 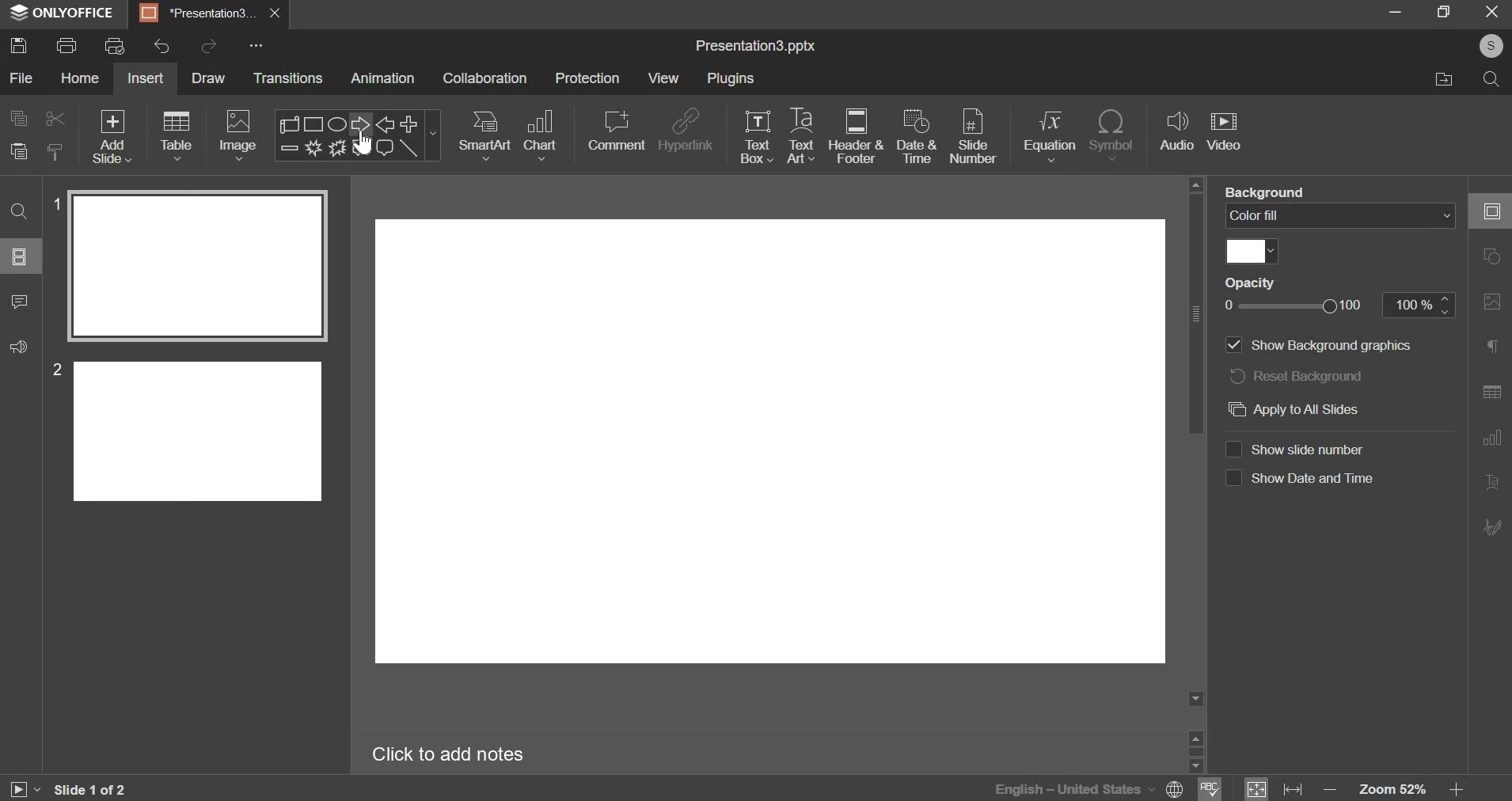 What do you see at coordinates (161, 46) in the screenshot?
I see `undo` at bounding box center [161, 46].